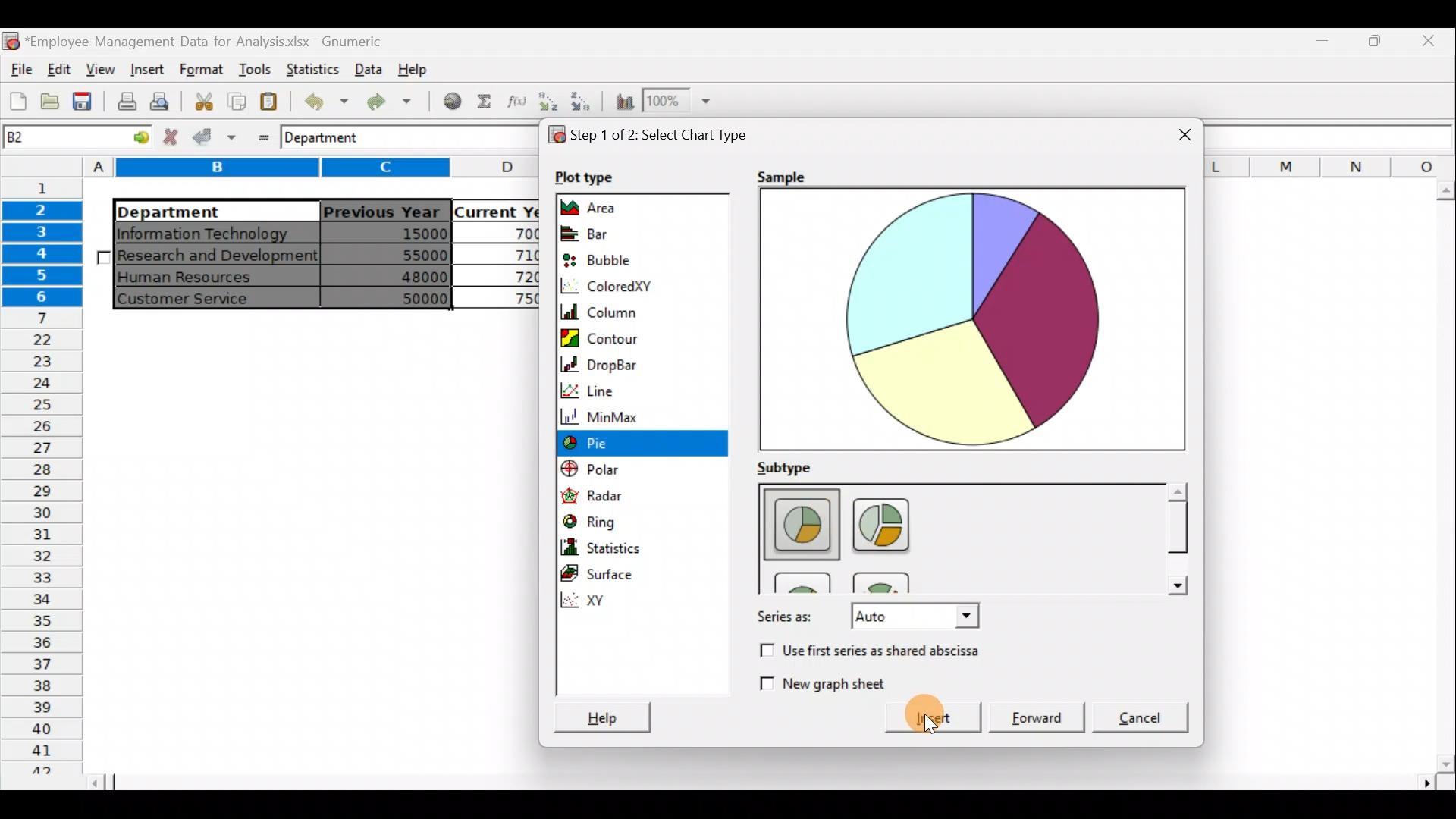  I want to click on Department, so click(206, 211).